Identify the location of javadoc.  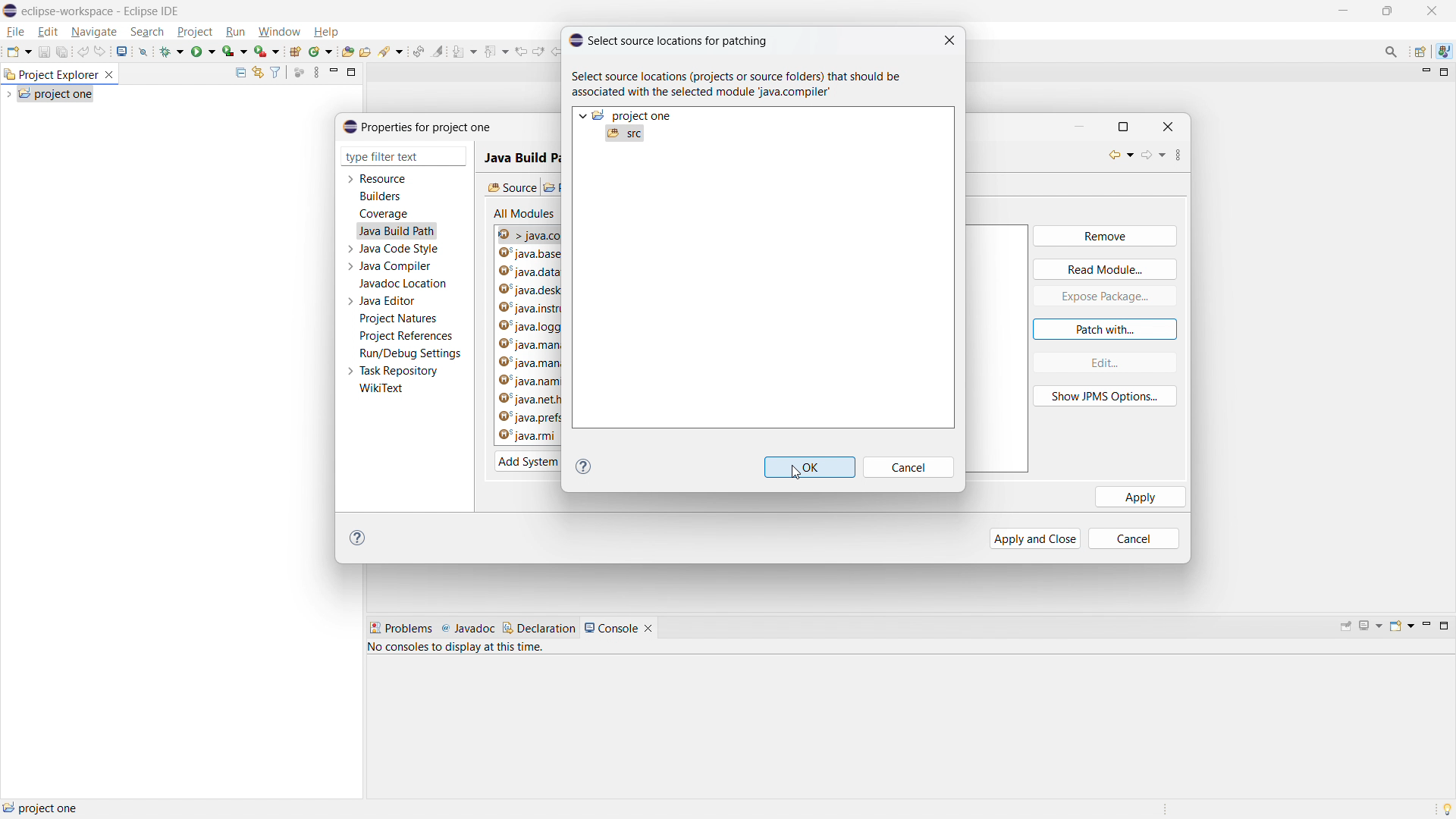
(468, 629).